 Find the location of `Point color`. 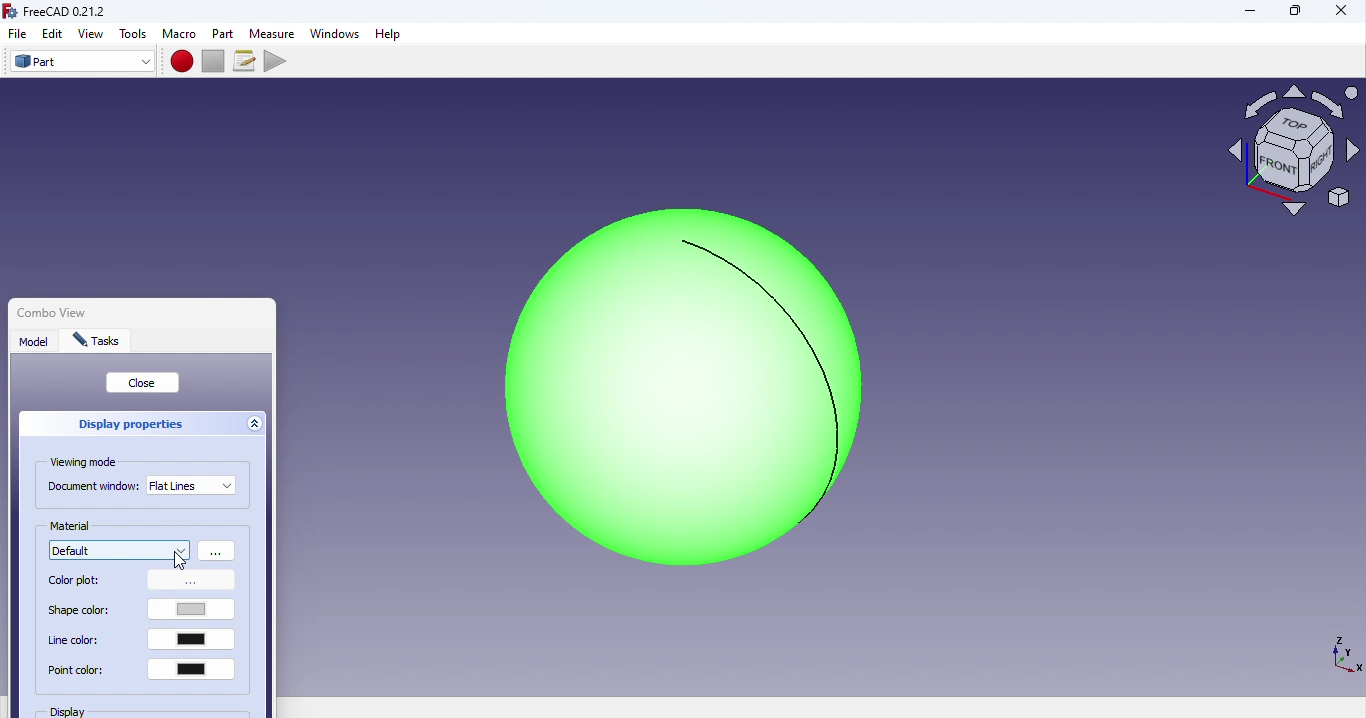

Point color is located at coordinates (143, 676).